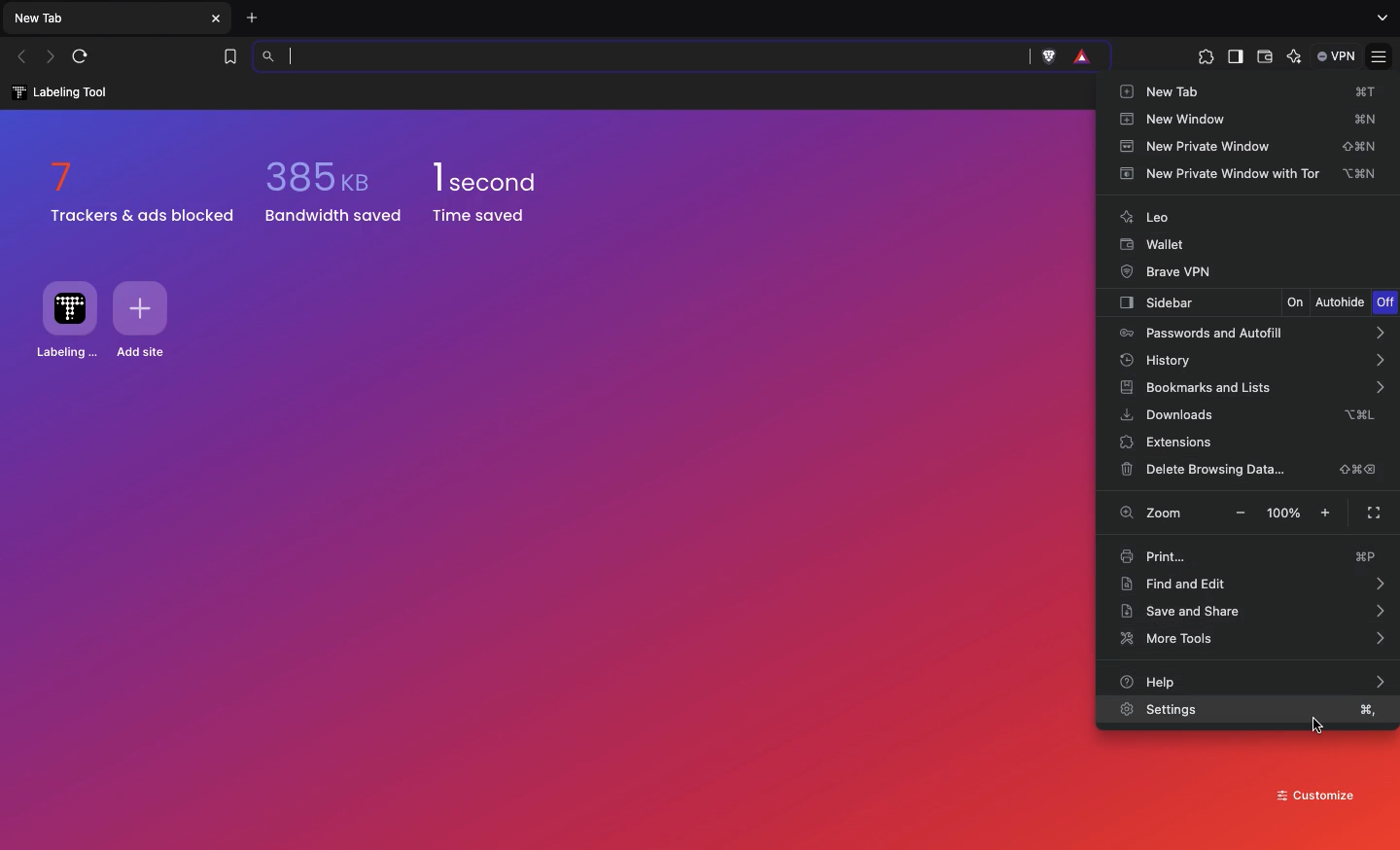 Image resolution: width=1400 pixels, height=850 pixels. What do you see at coordinates (1379, 19) in the screenshot?
I see `search tabs` at bounding box center [1379, 19].